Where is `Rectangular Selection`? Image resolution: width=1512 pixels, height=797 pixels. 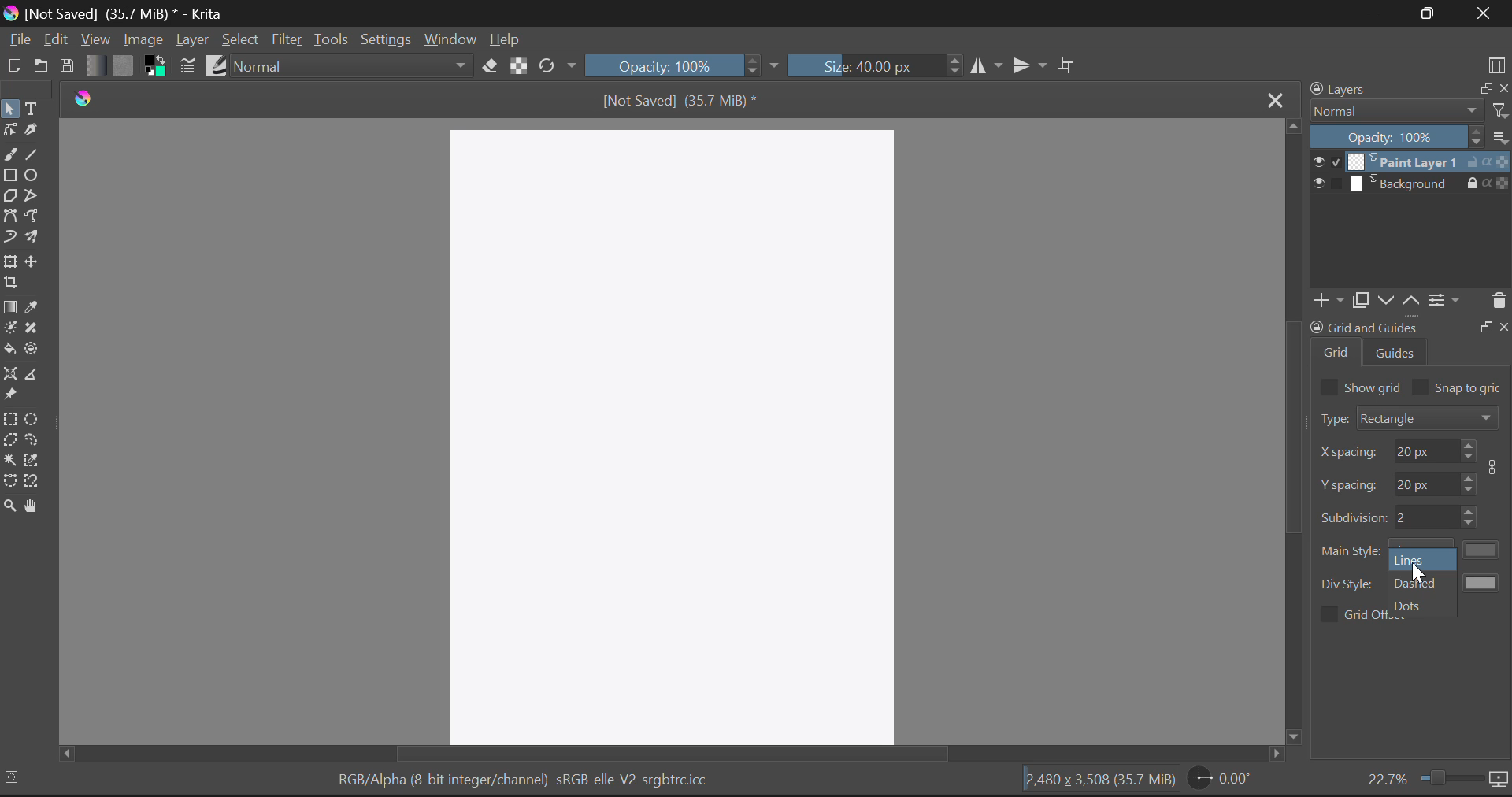 Rectangular Selection is located at coordinates (11, 421).